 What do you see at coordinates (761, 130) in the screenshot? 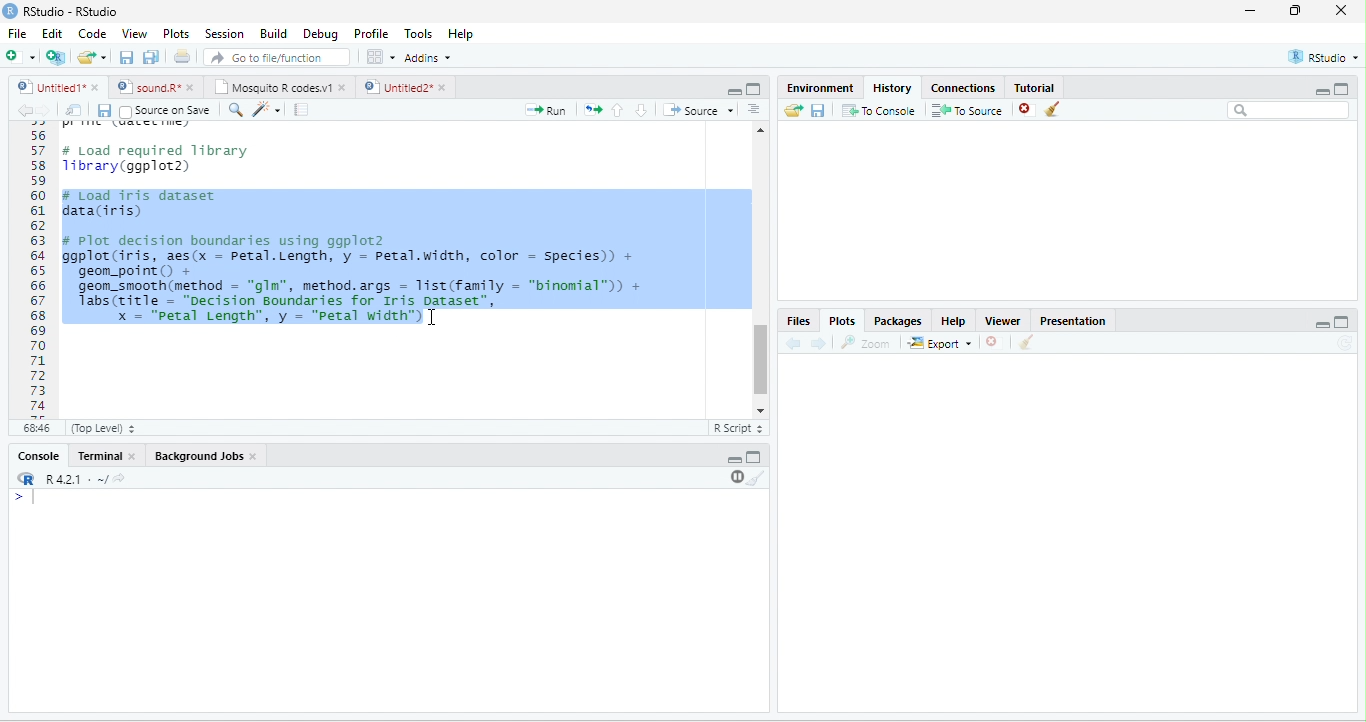
I see `scroll up` at bounding box center [761, 130].